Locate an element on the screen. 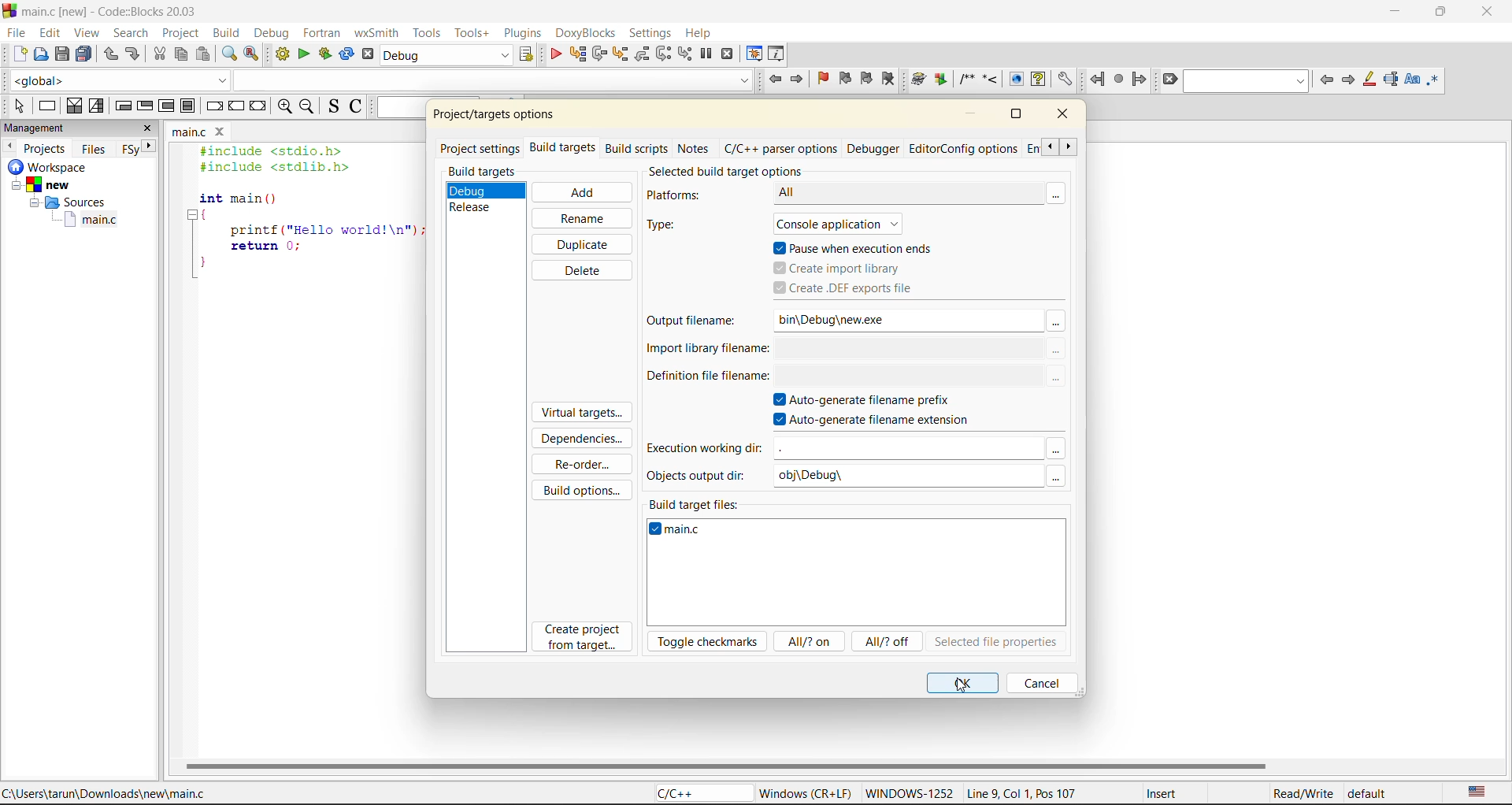 This screenshot has height=805, width=1512. last jump is located at coordinates (1118, 80).